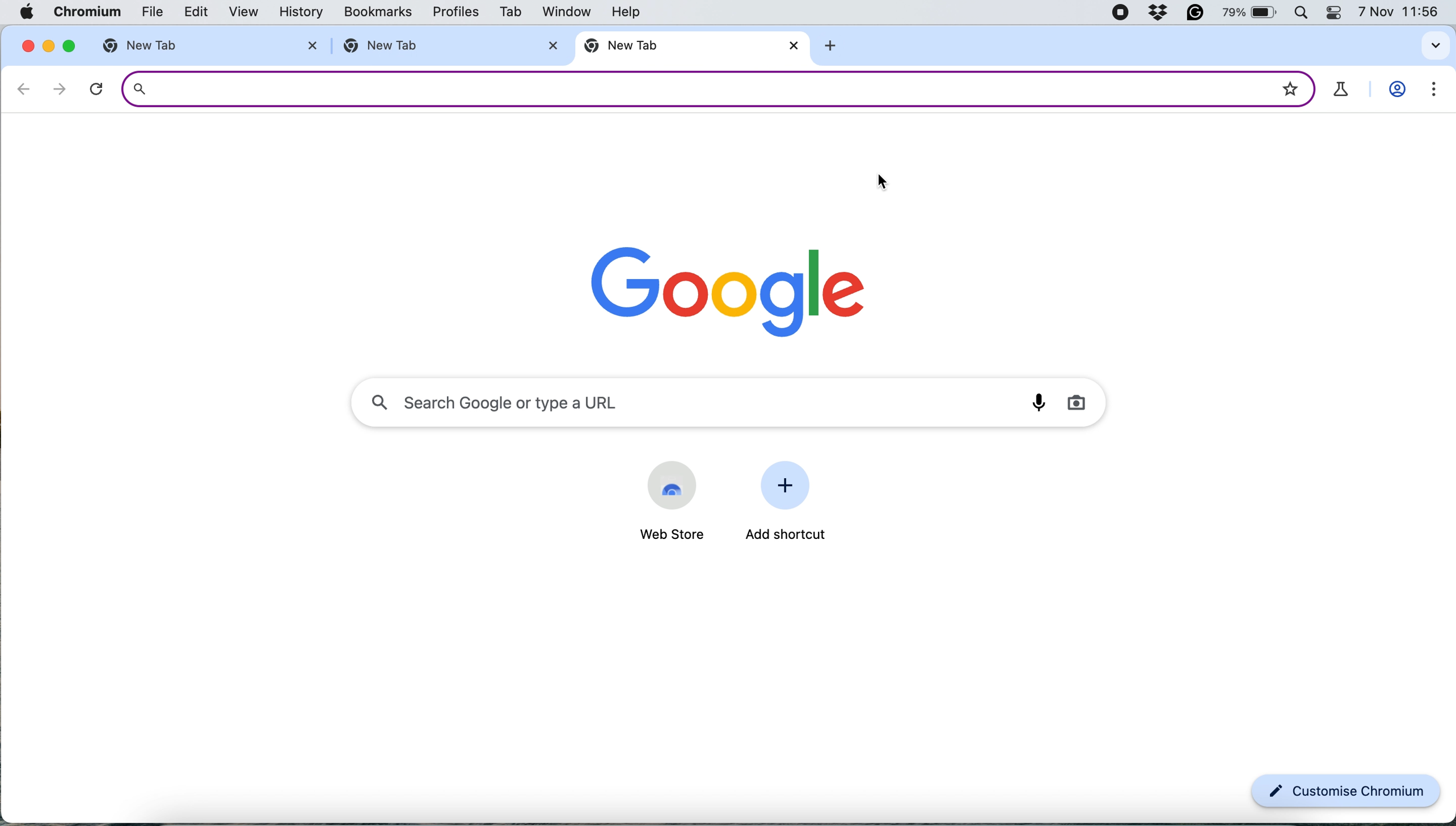  I want to click on customise chromium, so click(1347, 792).